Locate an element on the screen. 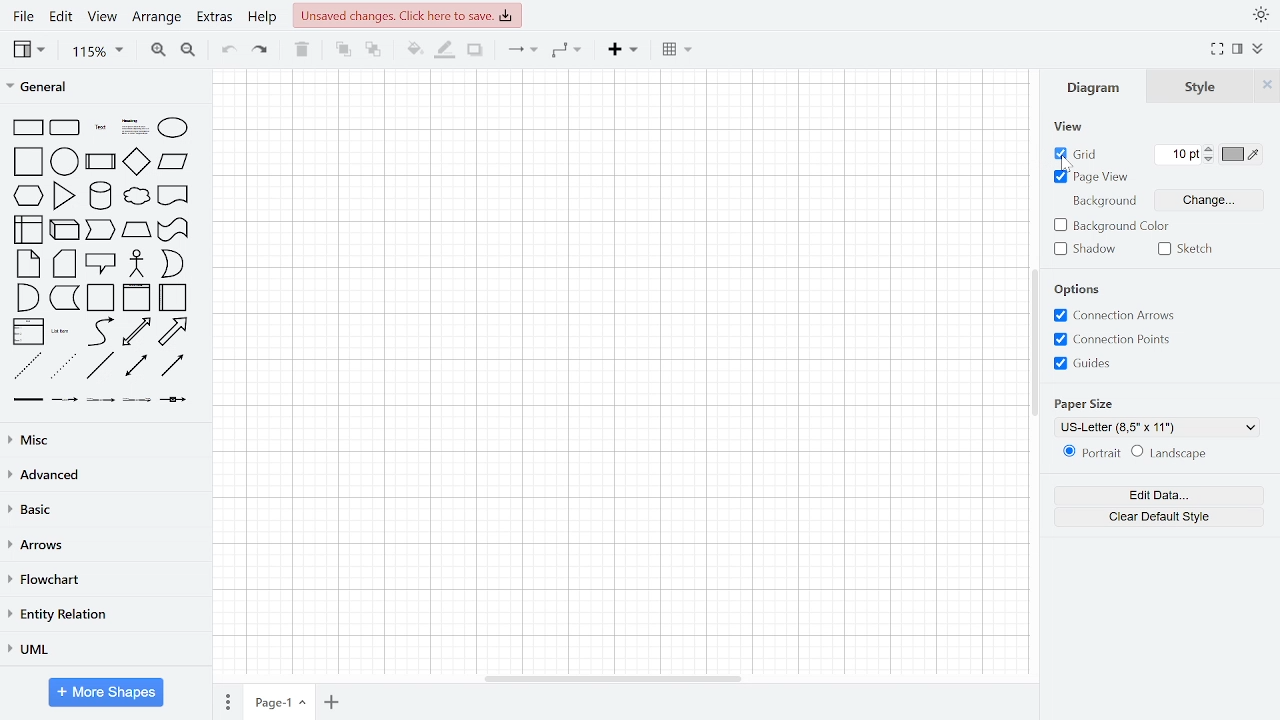 This screenshot has width=1280, height=720. directional connector is located at coordinates (174, 367).